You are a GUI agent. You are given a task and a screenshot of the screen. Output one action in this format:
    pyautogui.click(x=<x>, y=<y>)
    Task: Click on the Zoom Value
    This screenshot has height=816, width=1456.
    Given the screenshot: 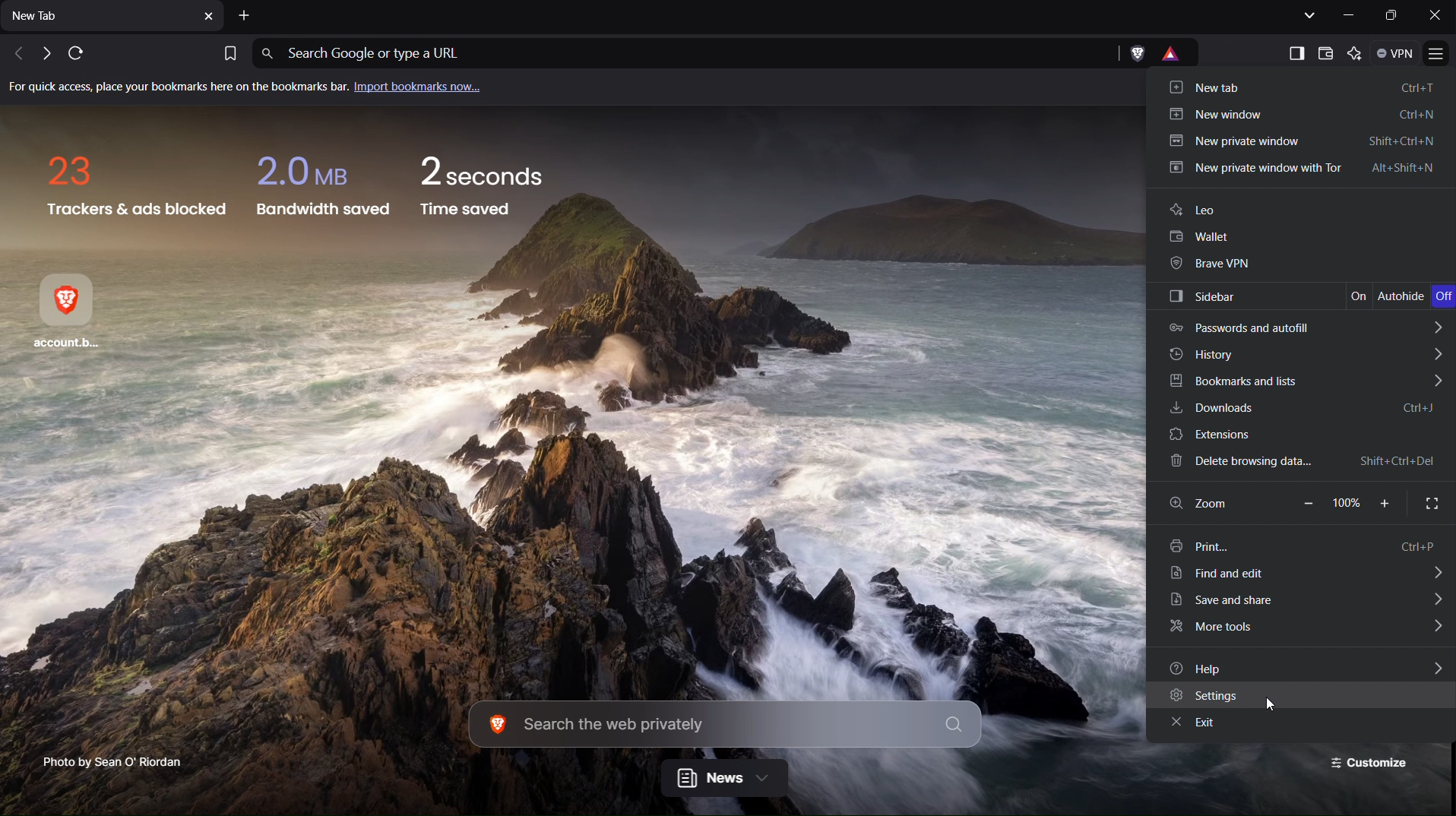 What is the action you would take?
    pyautogui.click(x=1346, y=503)
    